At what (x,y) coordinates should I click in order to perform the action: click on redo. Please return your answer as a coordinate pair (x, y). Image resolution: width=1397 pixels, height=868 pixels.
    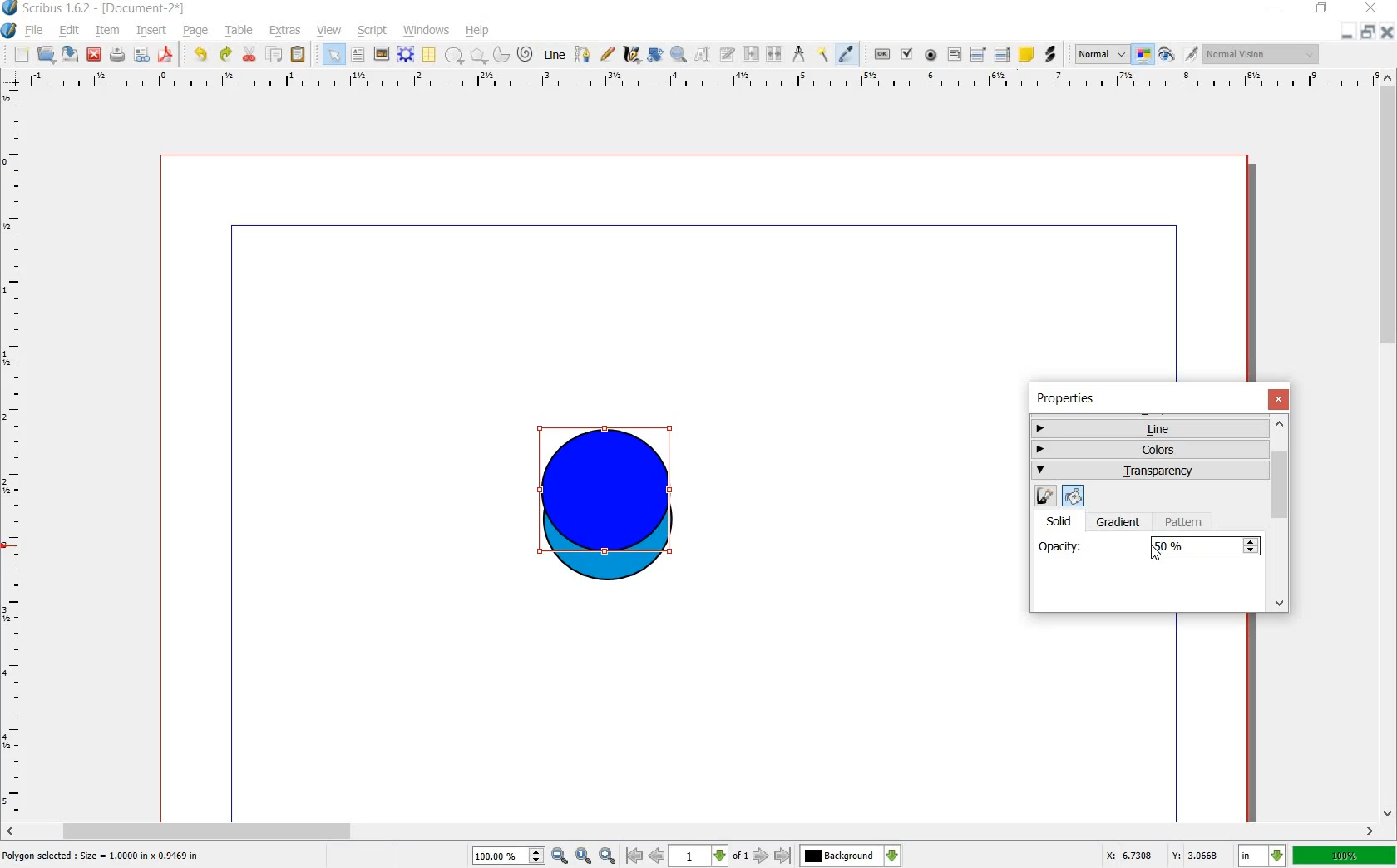
    Looking at the image, I should click on (225, 55).